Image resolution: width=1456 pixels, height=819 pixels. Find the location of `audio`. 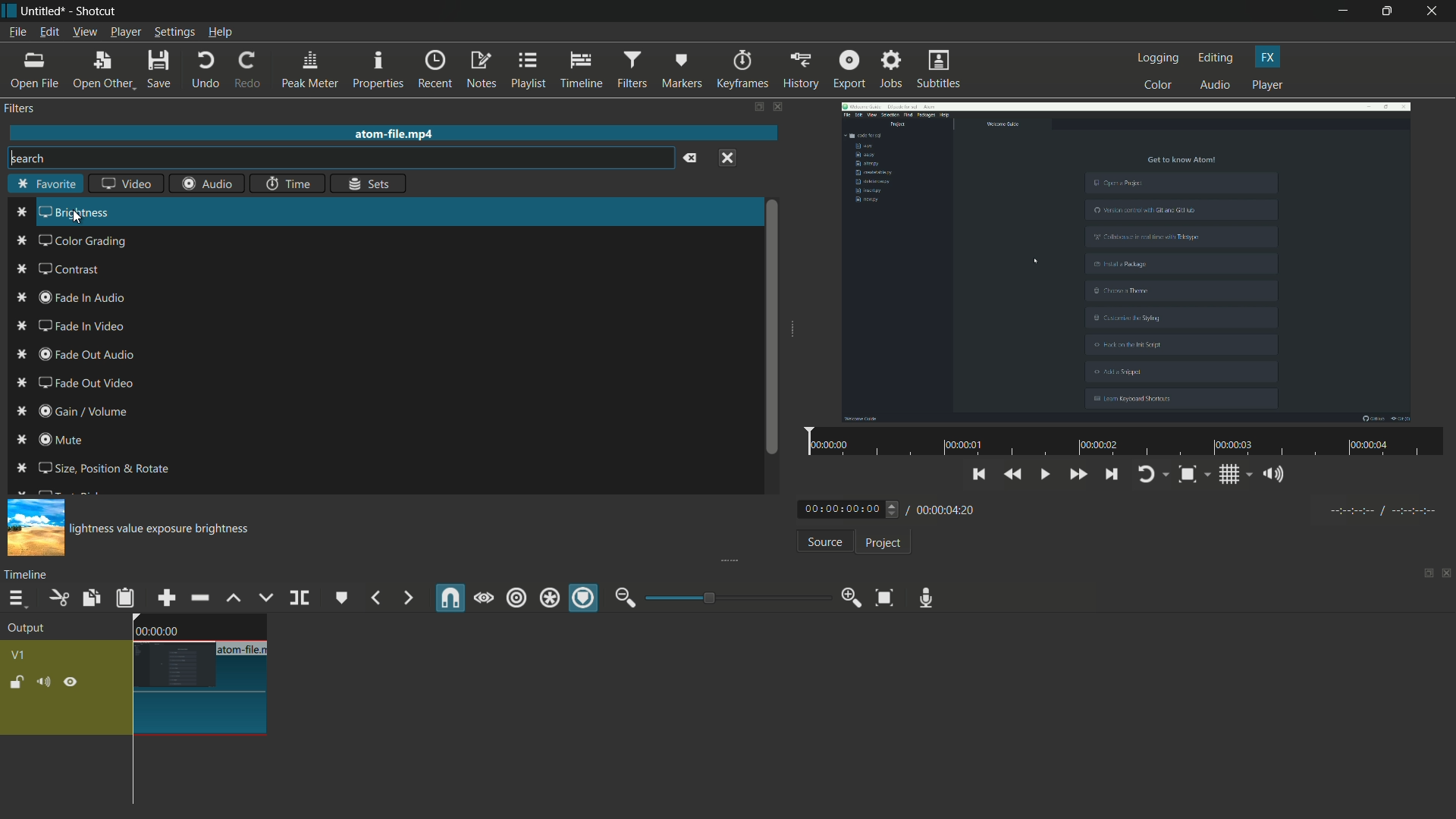

audio is located at coordinates (207, 184).